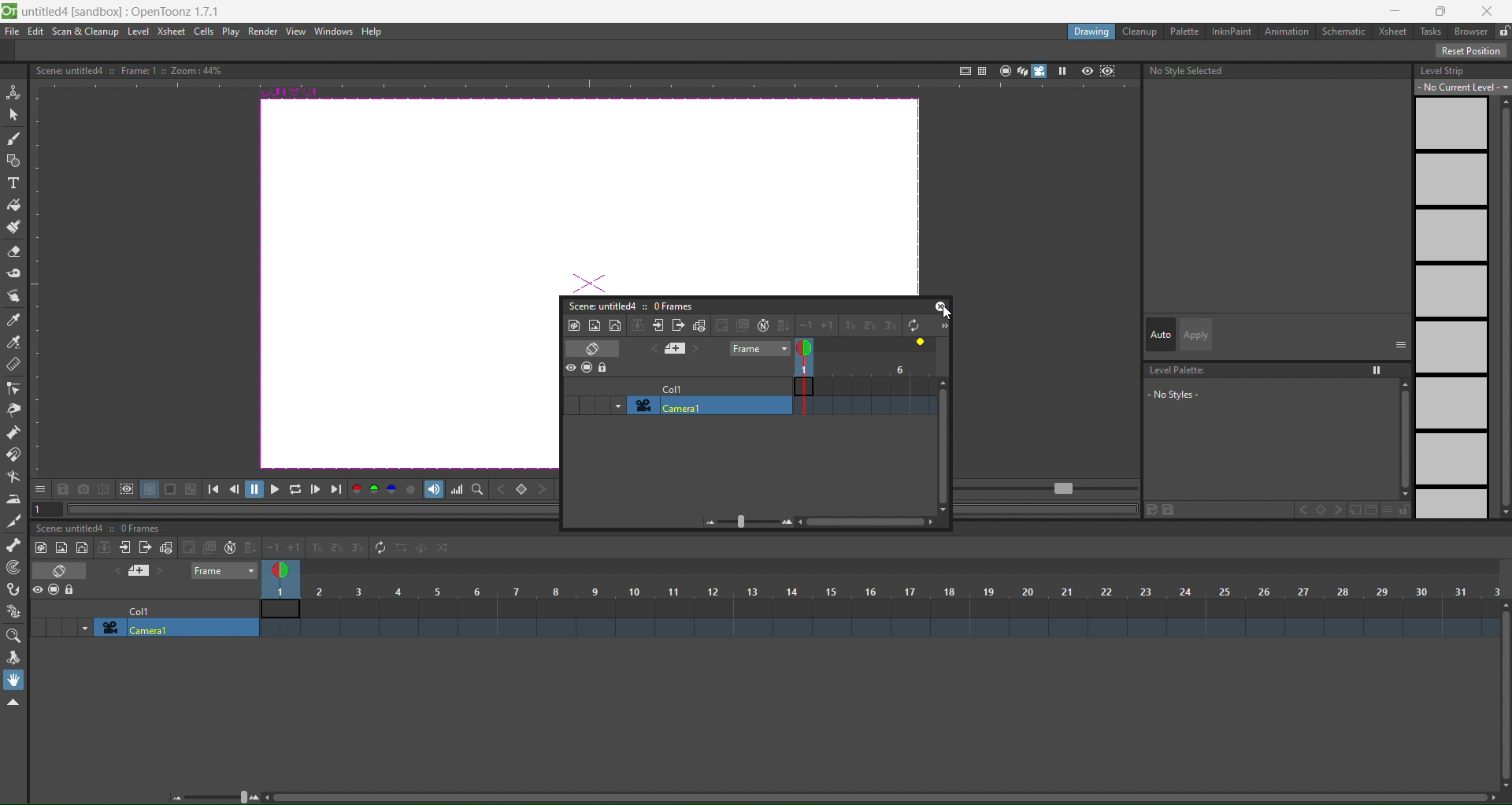 The image size is (1512, 805). I want to click on close subsheet, so click(679, 325).